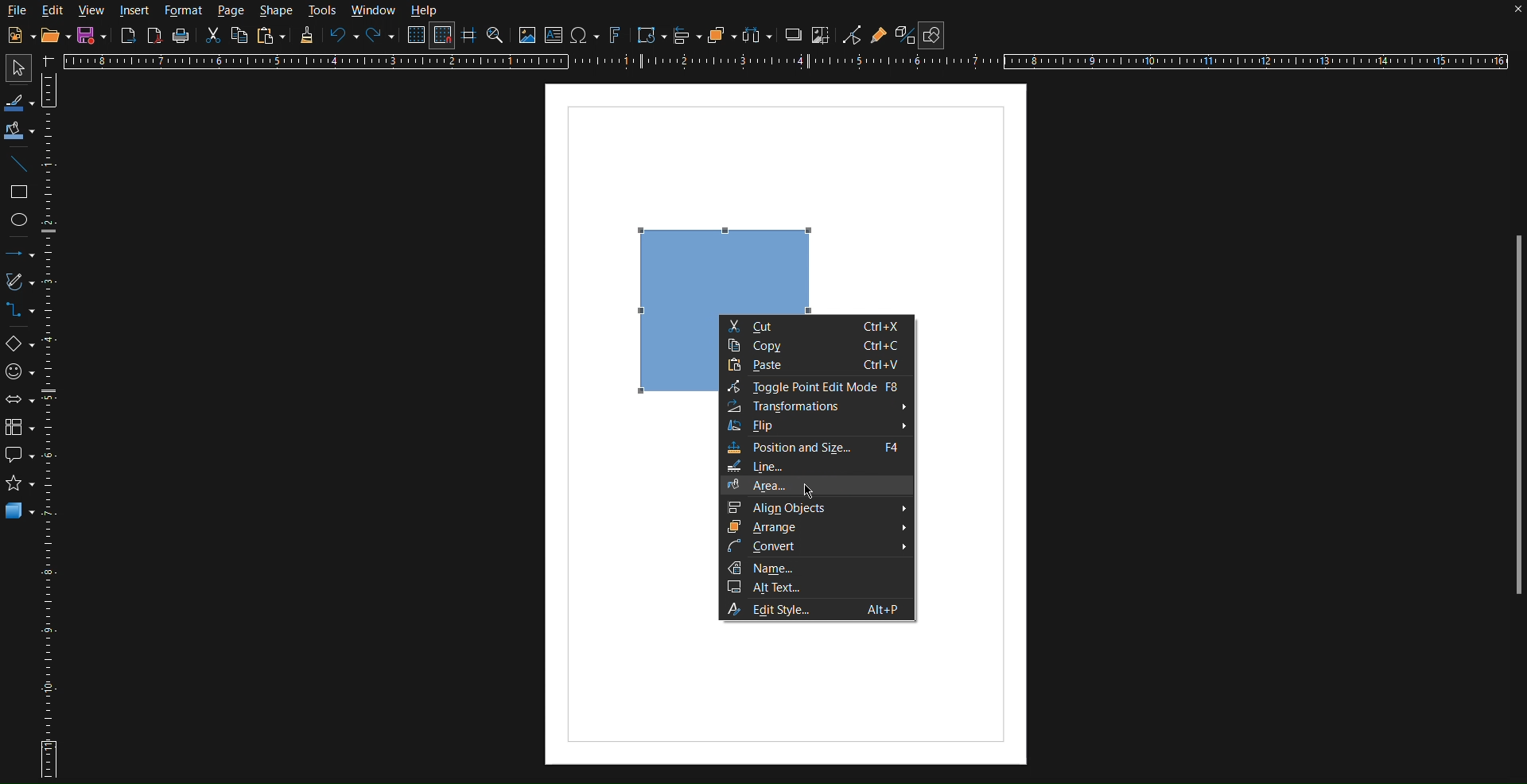 This screenshot has width=1527, height=784. I want to click on Line Color, so click(18, 101).